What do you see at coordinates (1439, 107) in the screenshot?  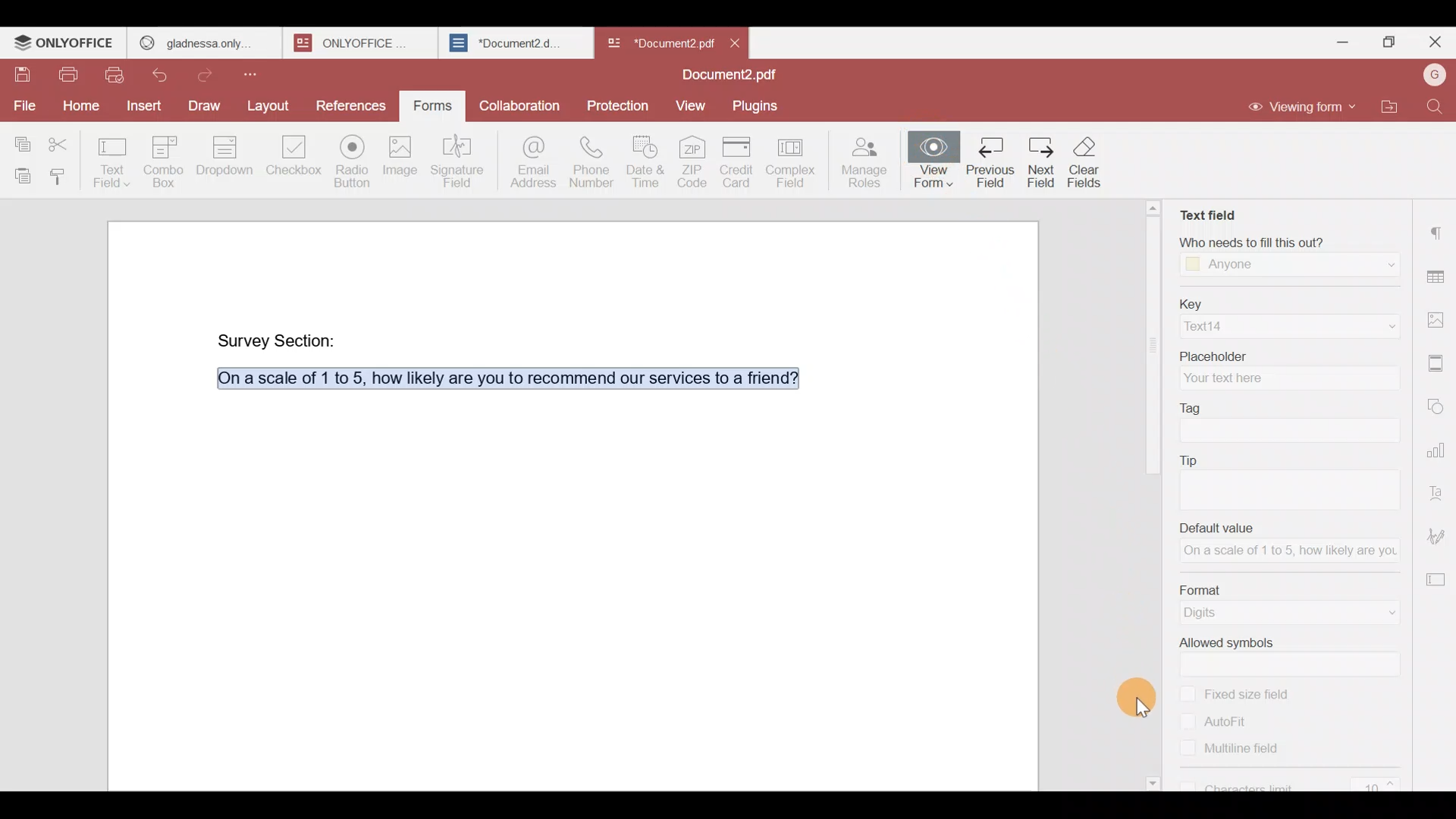 I see `Find` at bounding box center [1439, 107].